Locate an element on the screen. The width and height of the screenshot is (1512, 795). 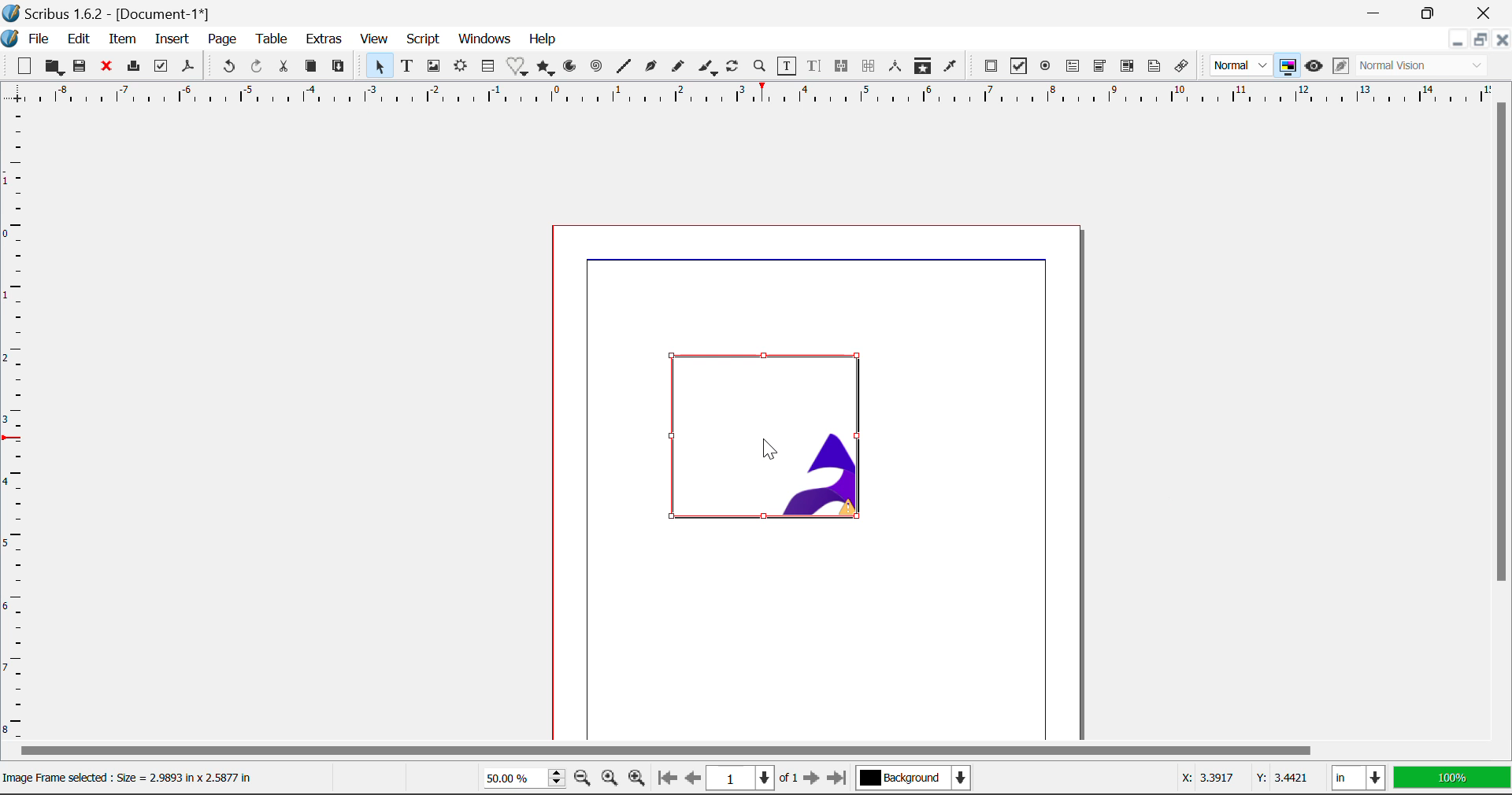
Image Frame is located at coordinates (434, 68).